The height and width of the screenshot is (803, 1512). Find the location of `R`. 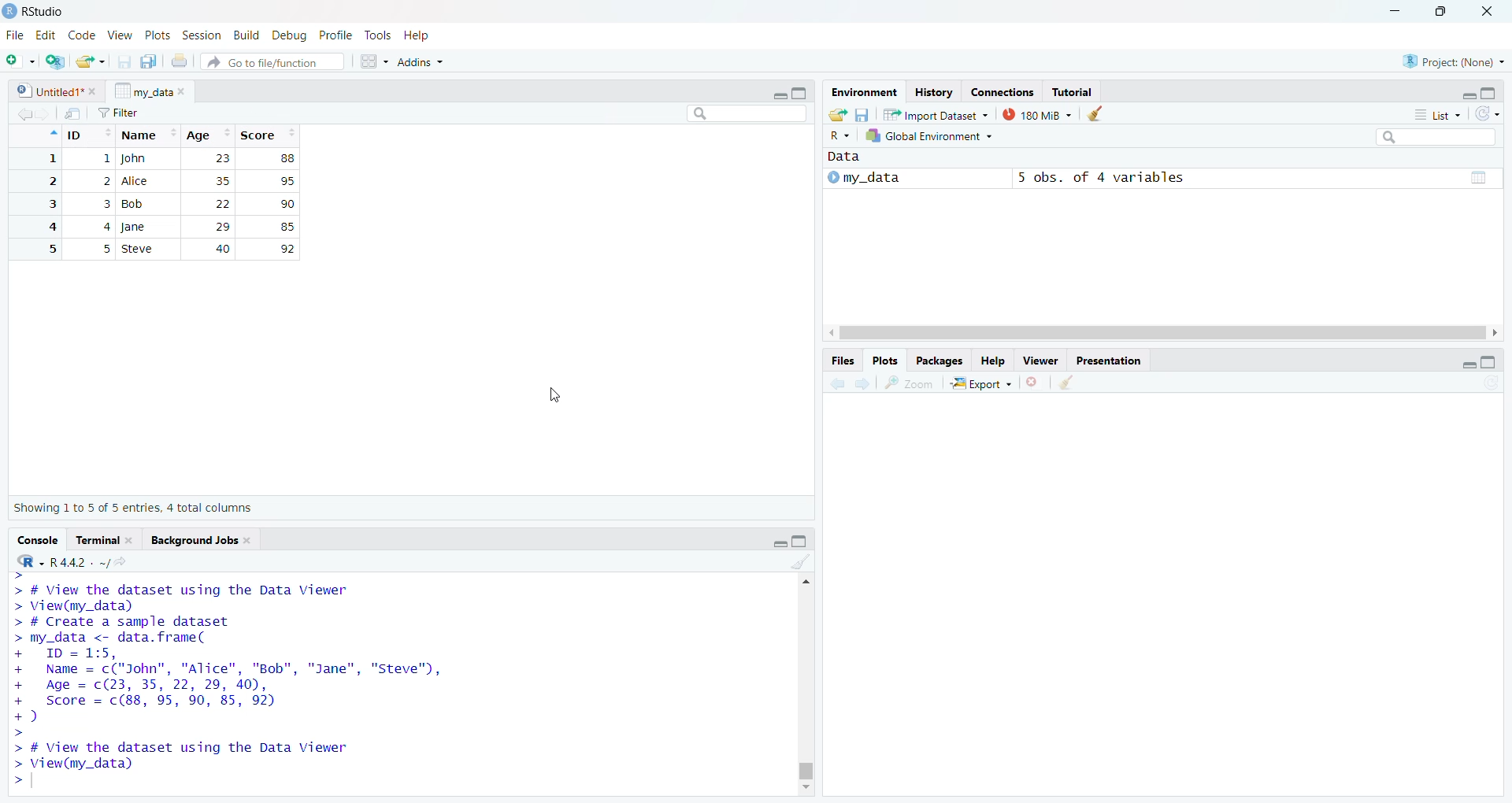

R is located at coordinates (837, 136).